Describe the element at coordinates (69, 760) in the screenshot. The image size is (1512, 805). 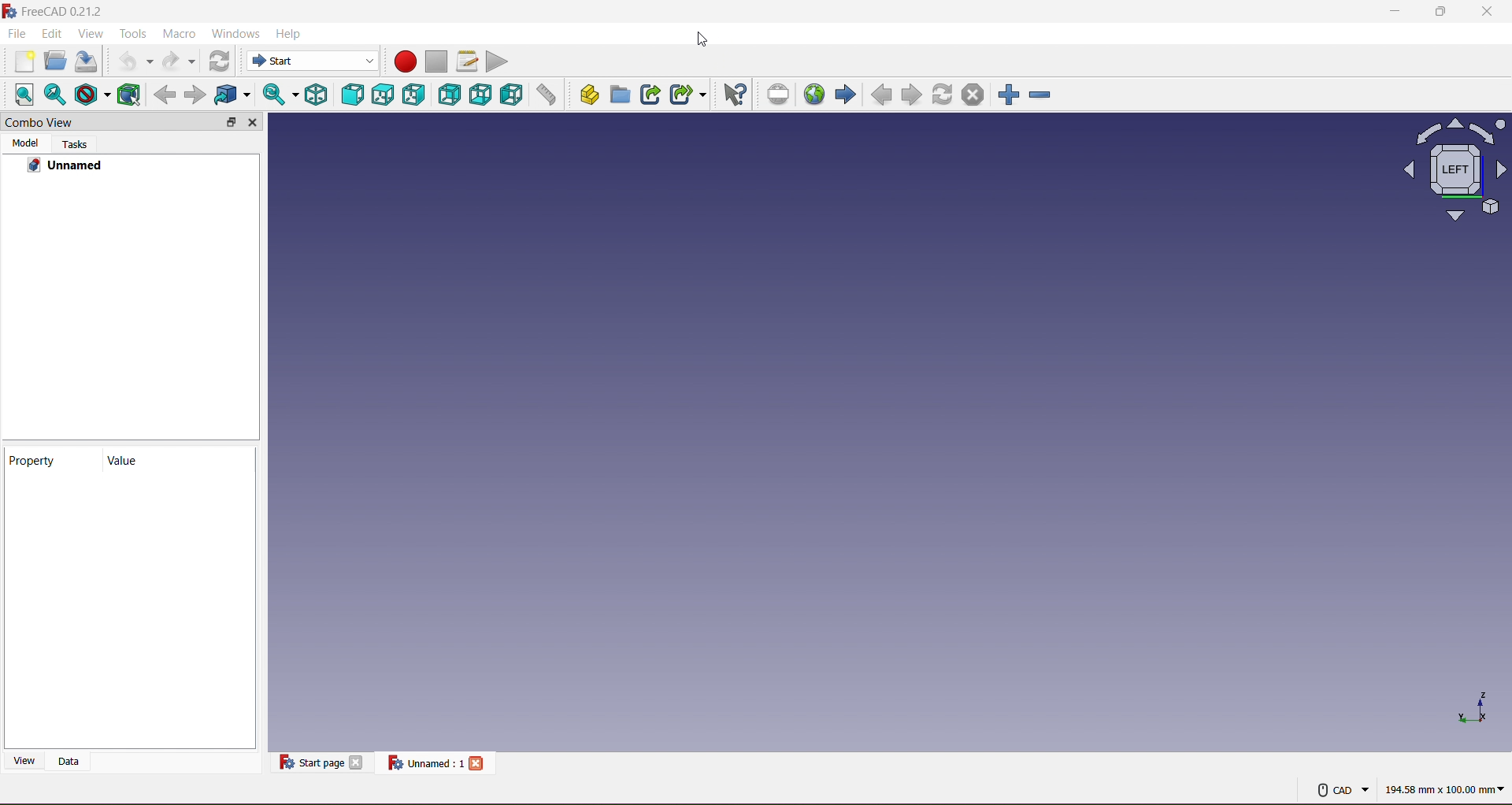
I see `Data` at that location.